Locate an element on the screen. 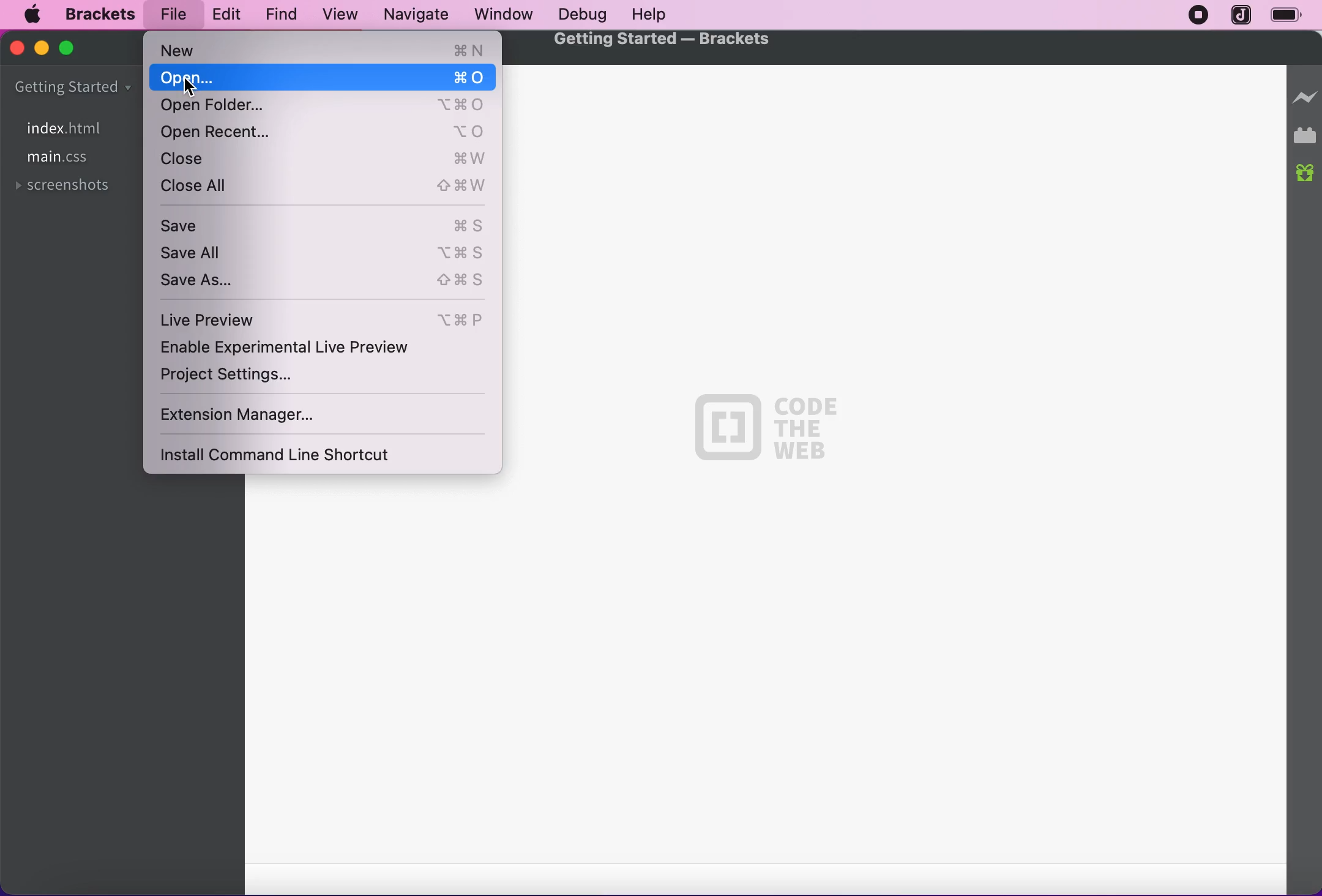  cursor is located at coordinates (189, 86).